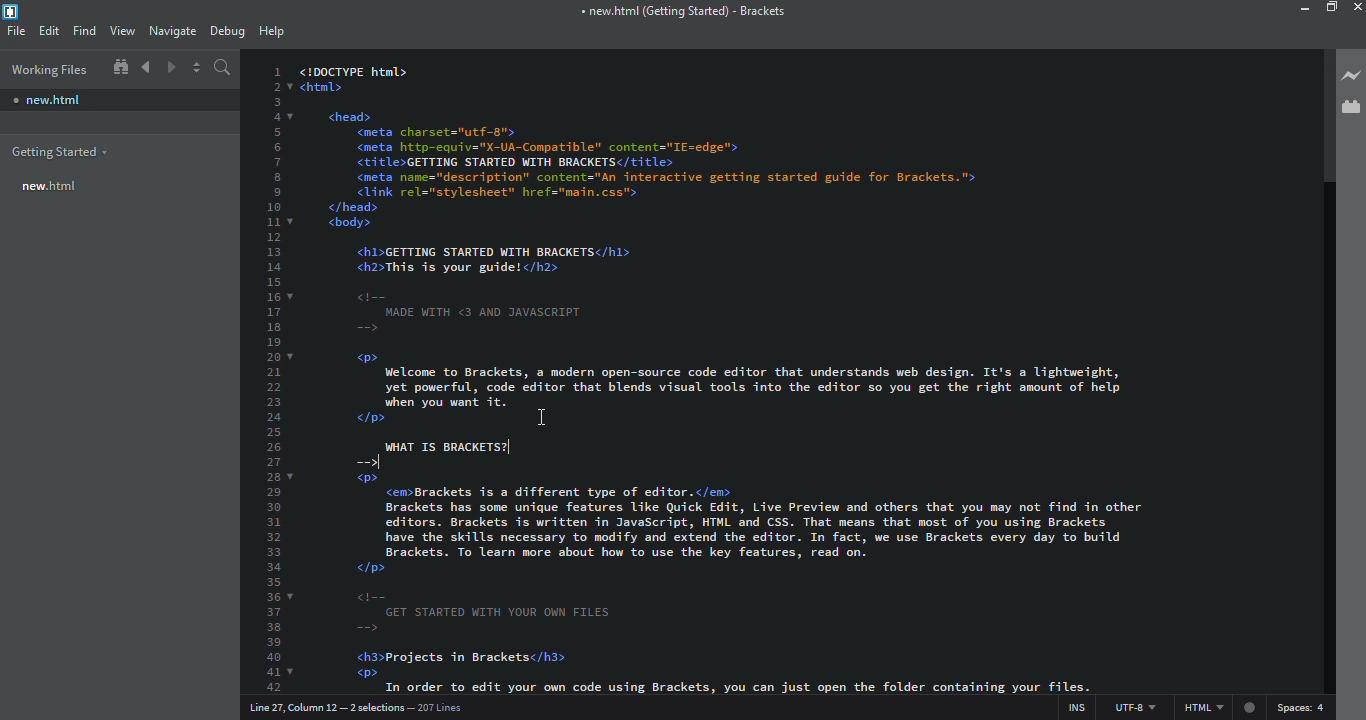 The height and width of the screenshot is (720, 1366). I want to click on show in file tree, so click(121, 67).